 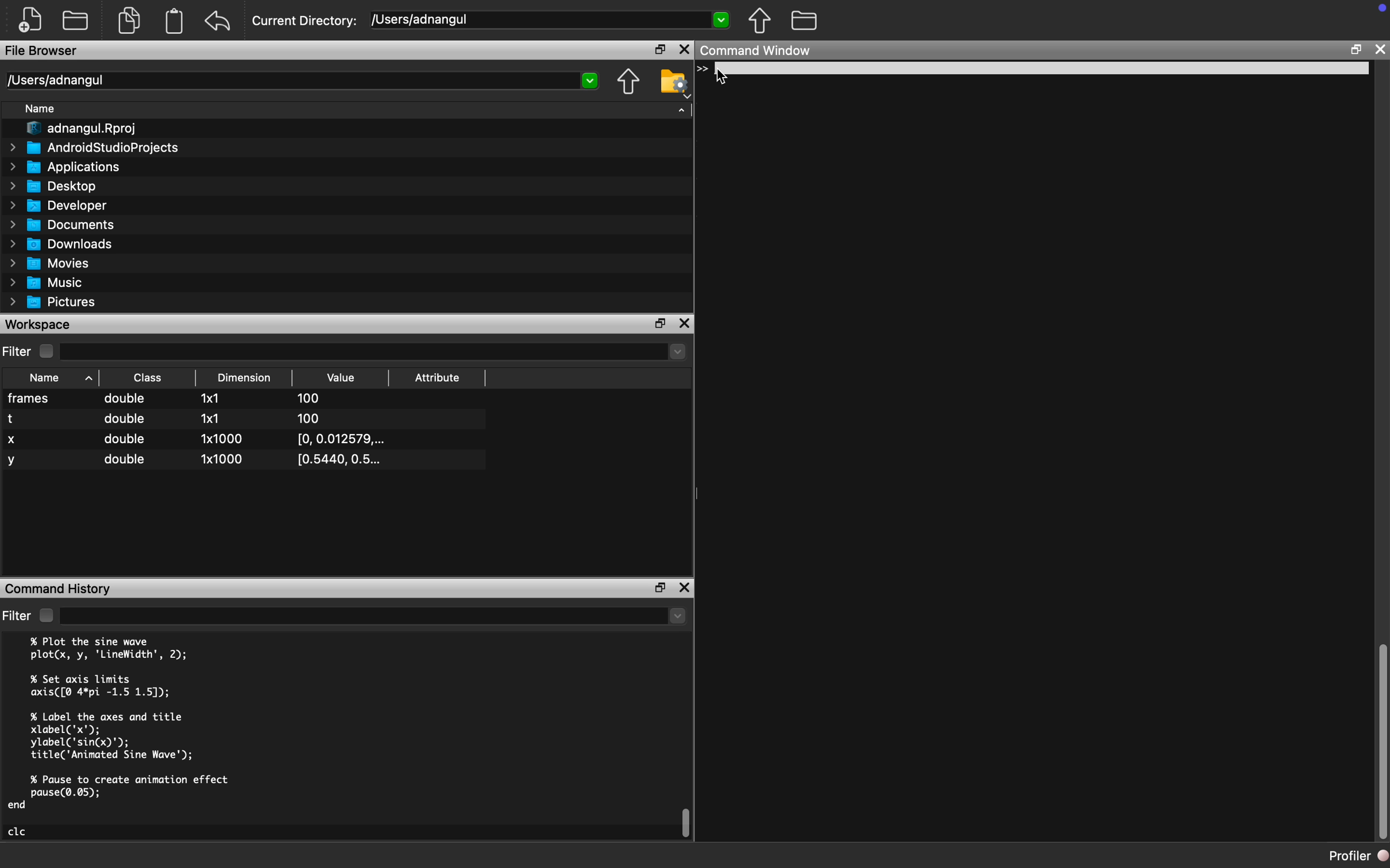 I want to click on 100, so click(x=310, y=400).